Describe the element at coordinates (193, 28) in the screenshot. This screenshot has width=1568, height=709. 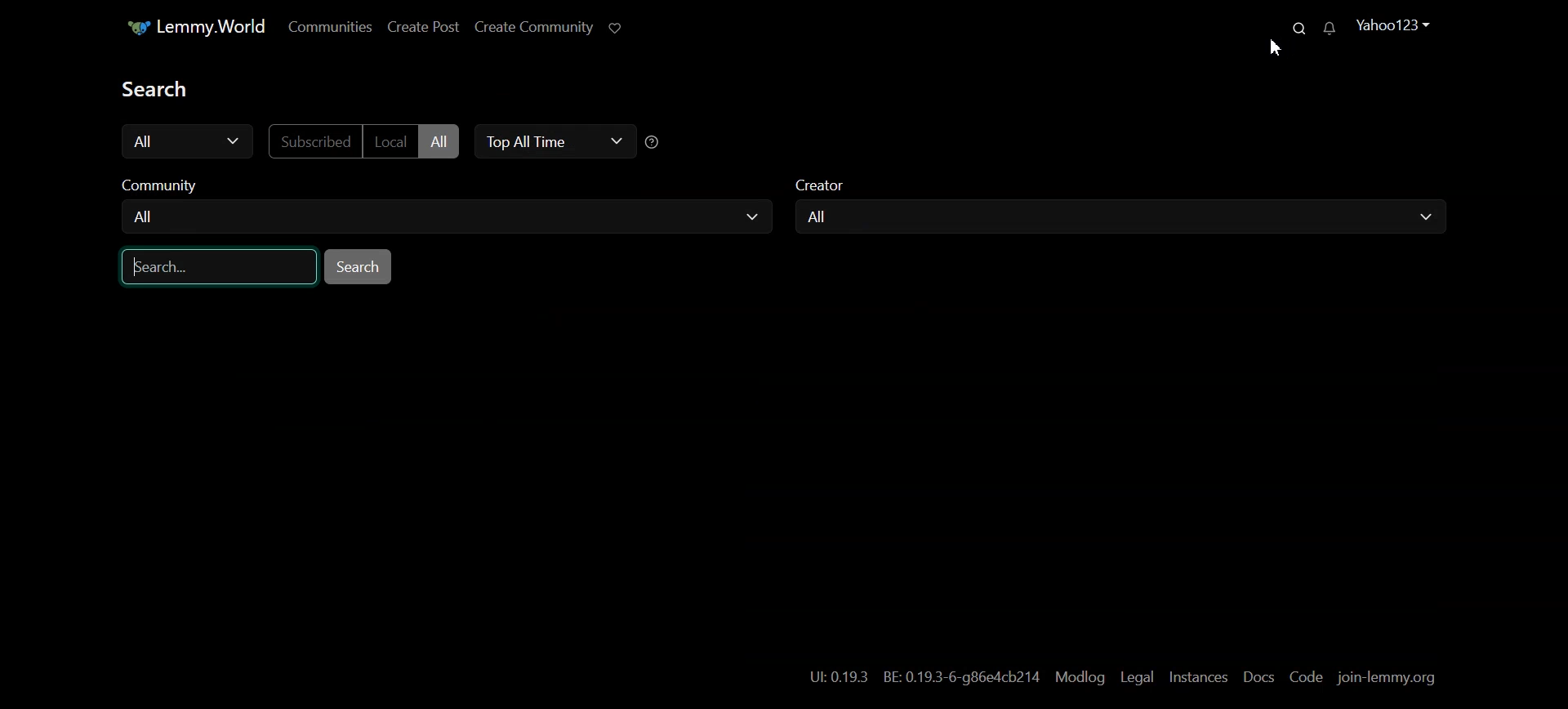
I see `Home Page` at that location.